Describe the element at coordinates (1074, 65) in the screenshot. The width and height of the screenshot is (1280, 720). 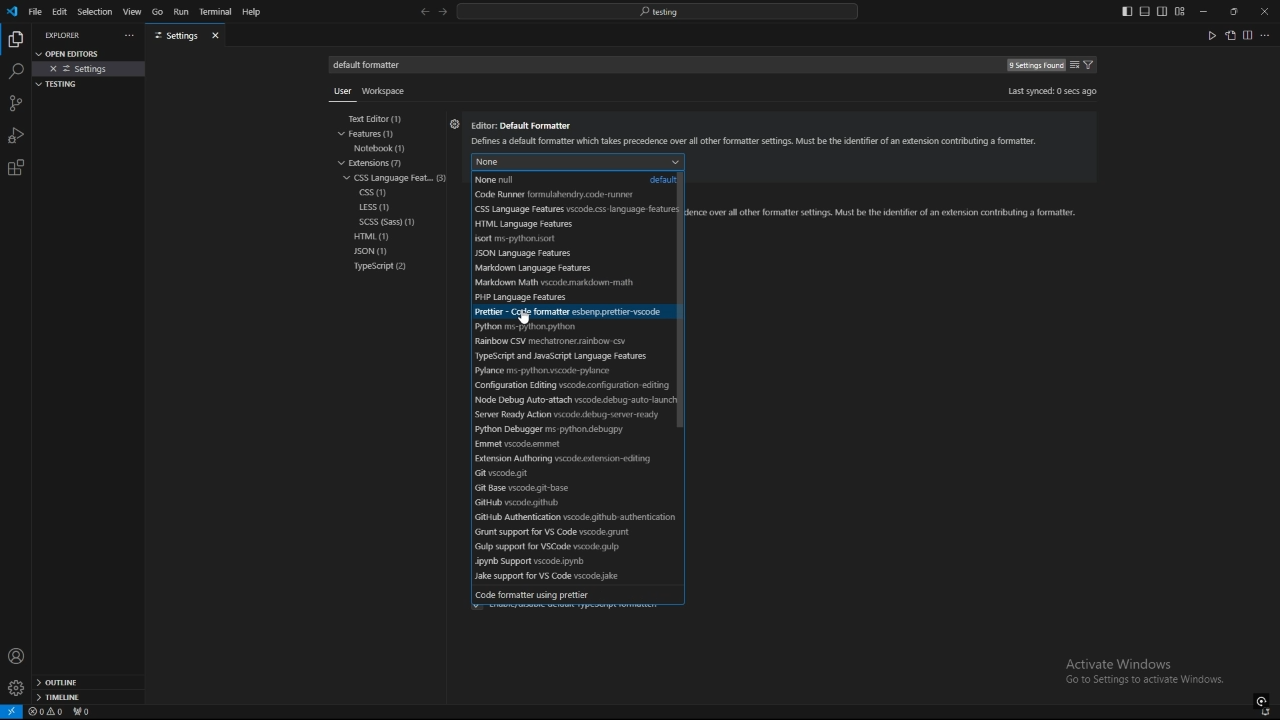
I see `change settings ` at that location.